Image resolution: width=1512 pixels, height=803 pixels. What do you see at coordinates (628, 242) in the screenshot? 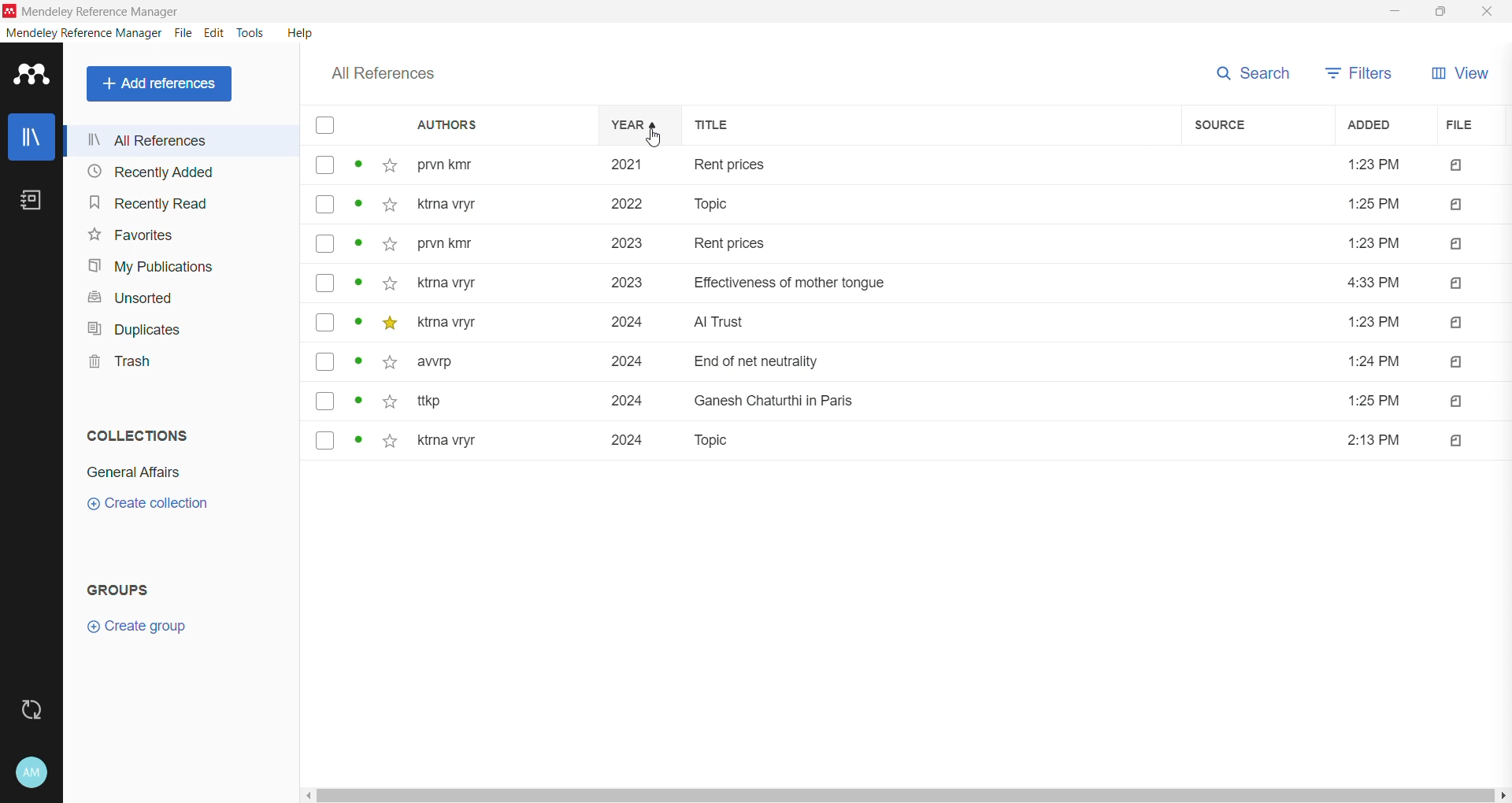
I see `2023` at bounding box center [628, 242].